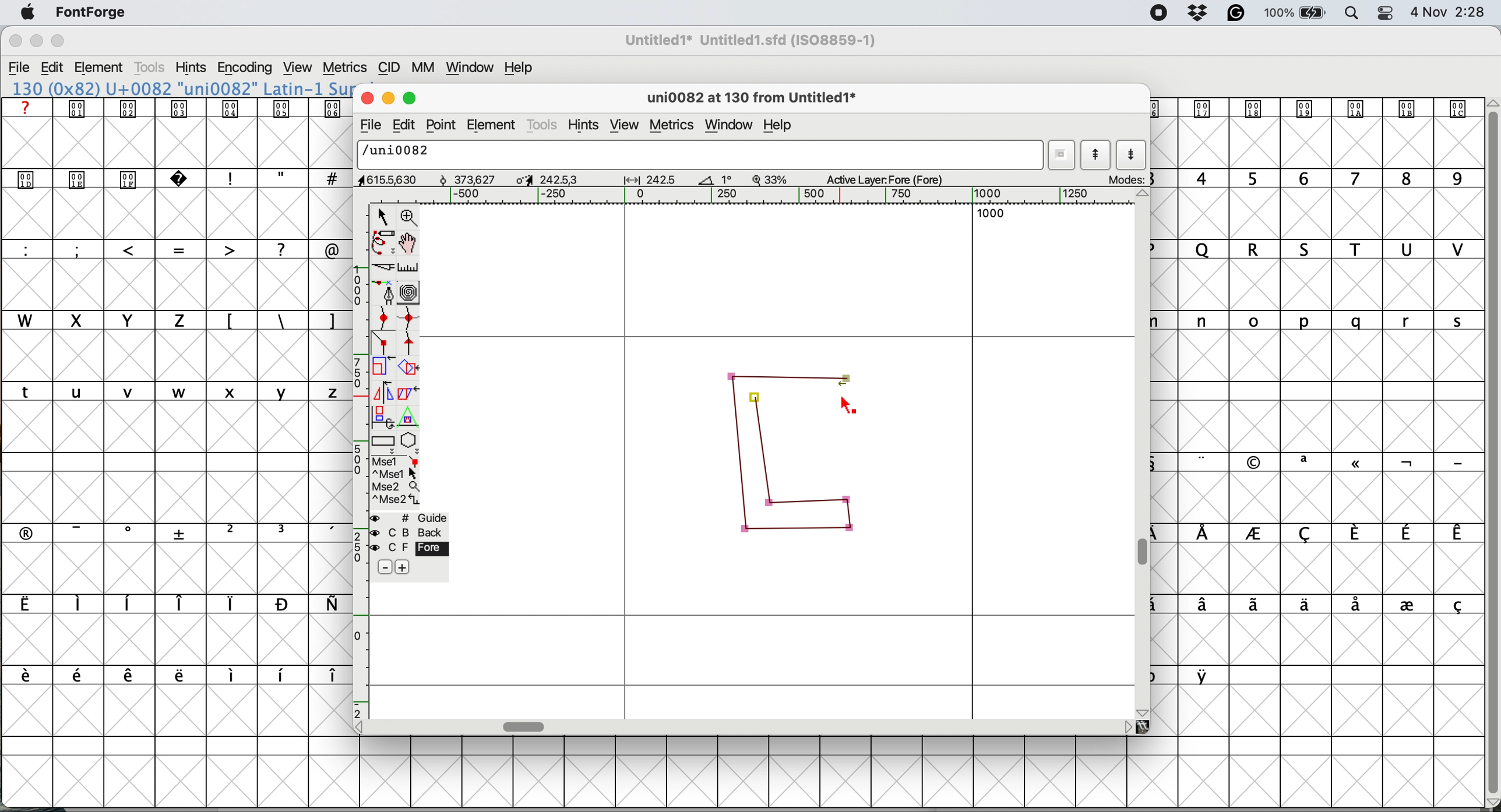 This screenshot has width=1501, height=812. Describe the element at coordinates (1331, 463) in the screenshot. I see `symbols` at that location.